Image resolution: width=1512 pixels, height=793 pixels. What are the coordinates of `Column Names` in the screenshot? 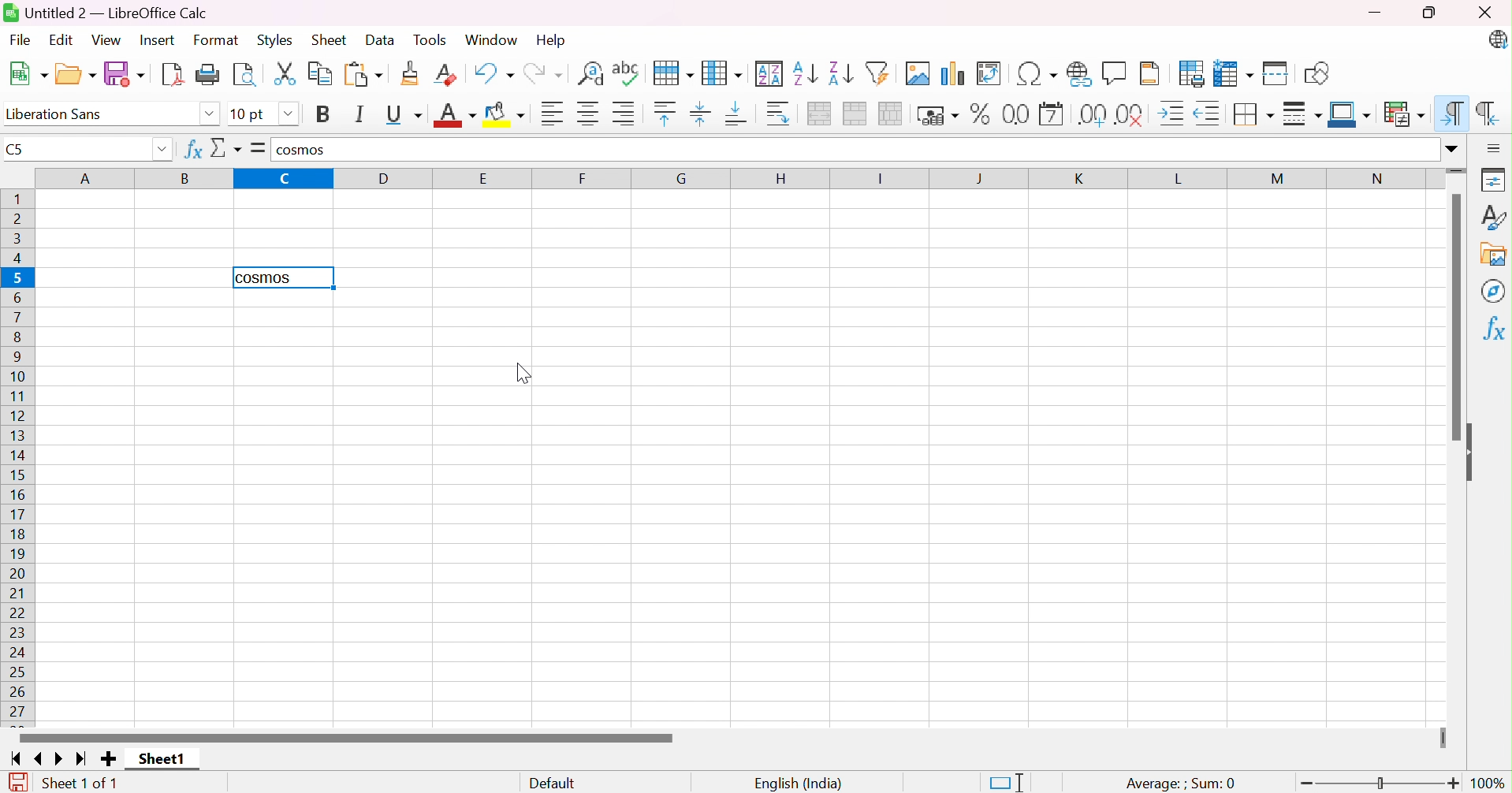 It's located at (738, 180).